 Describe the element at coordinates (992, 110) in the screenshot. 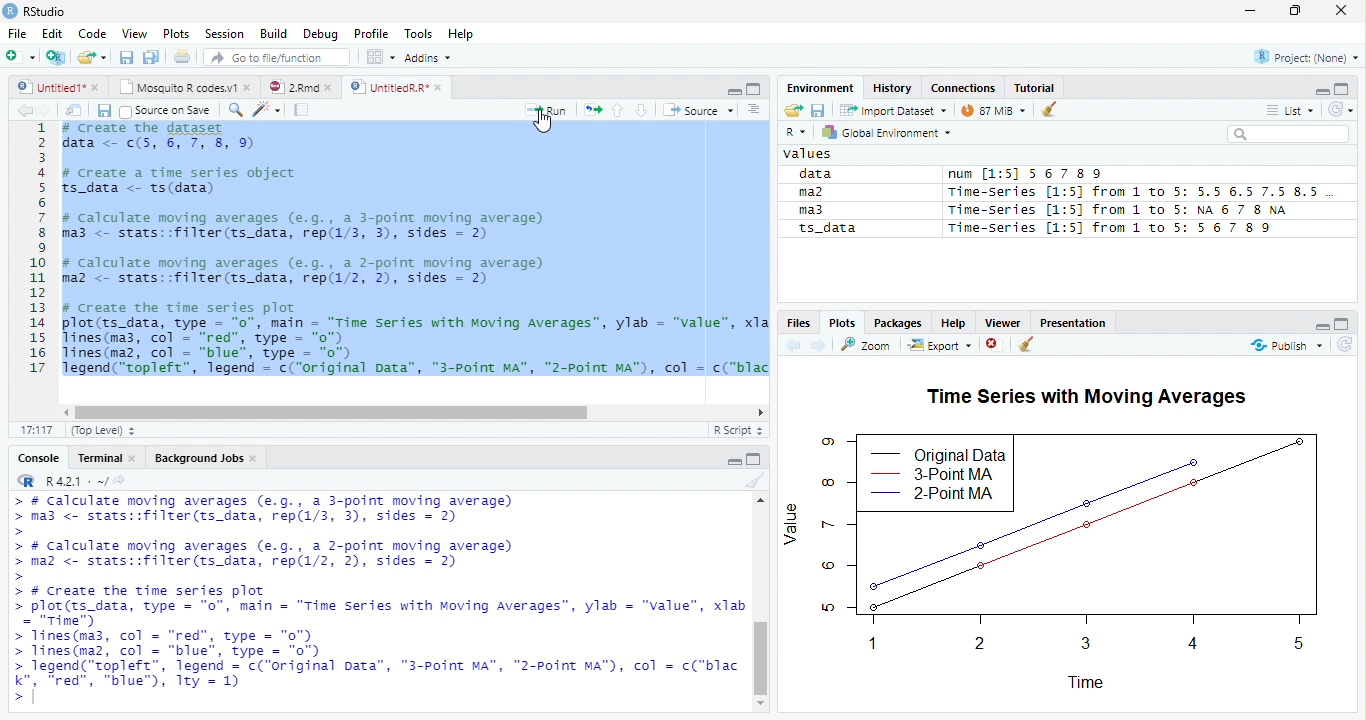

I see `23 MiB` at that location.